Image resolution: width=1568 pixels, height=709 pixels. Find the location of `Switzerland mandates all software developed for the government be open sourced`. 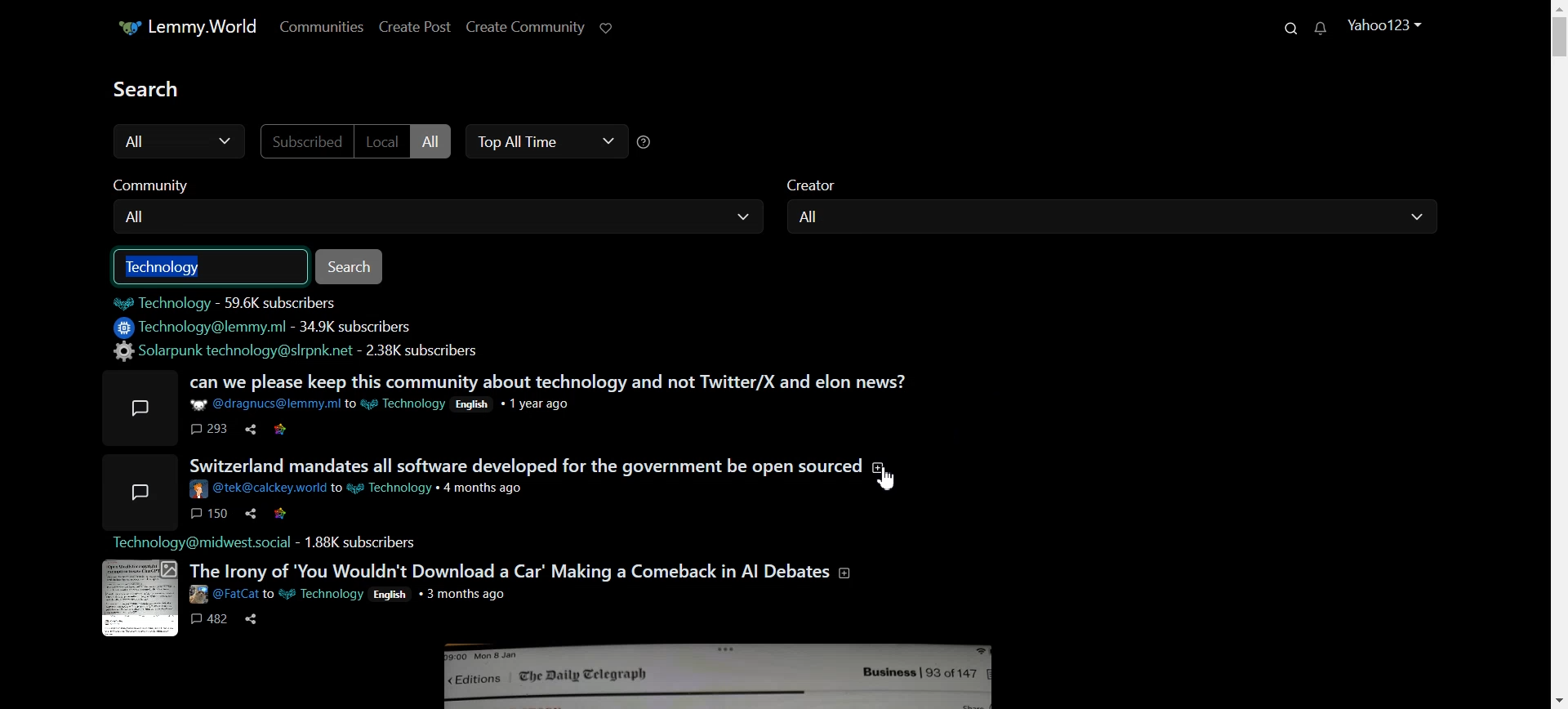

Switzerland mandates all software developed for the government be open sourced is located at coordinates (537, 466).